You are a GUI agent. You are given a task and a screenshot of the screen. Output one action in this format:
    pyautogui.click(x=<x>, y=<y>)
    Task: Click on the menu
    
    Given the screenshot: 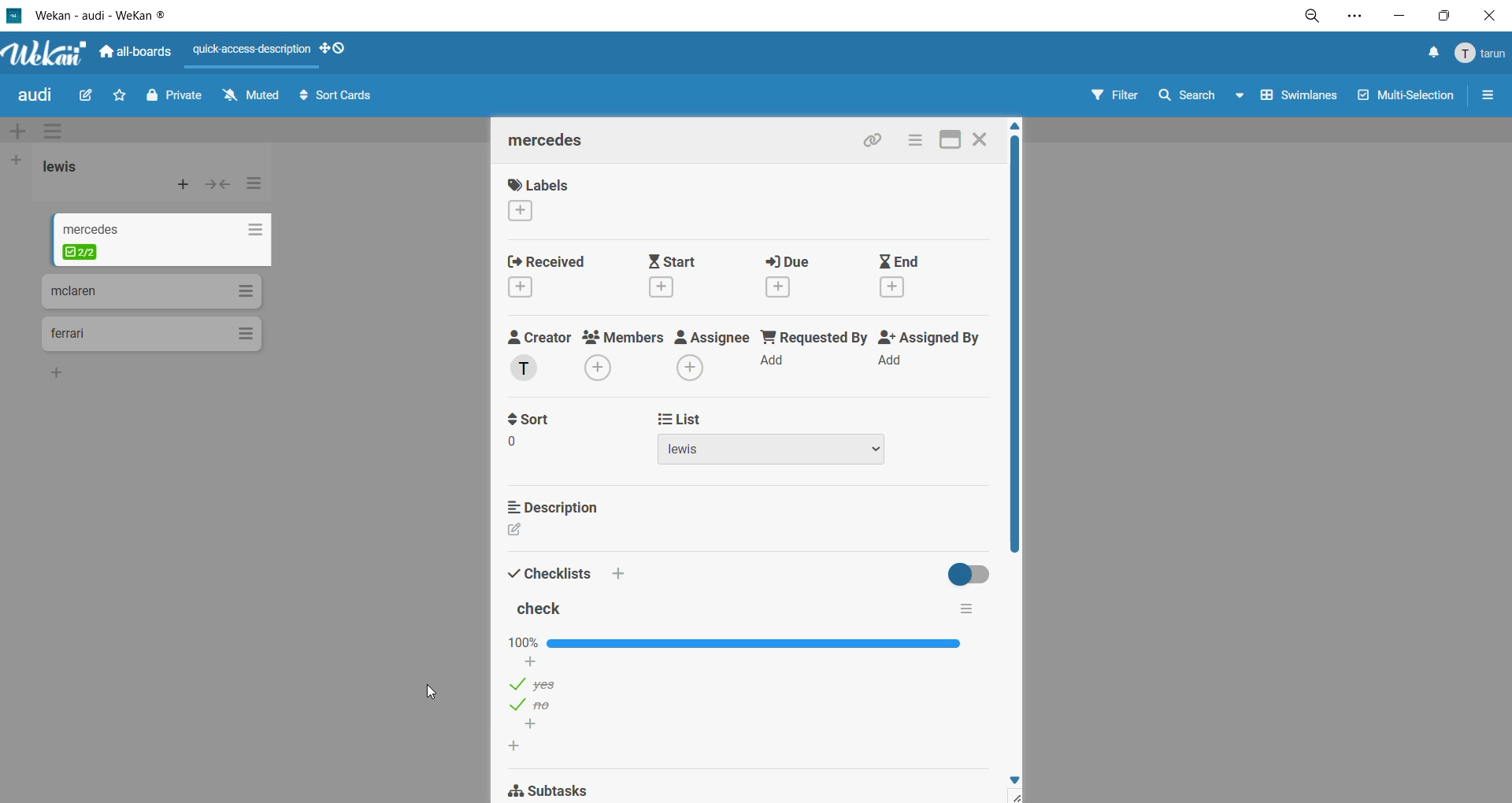 What is the action you would take?
    pyautogui.click(x=1478, y=54)
    